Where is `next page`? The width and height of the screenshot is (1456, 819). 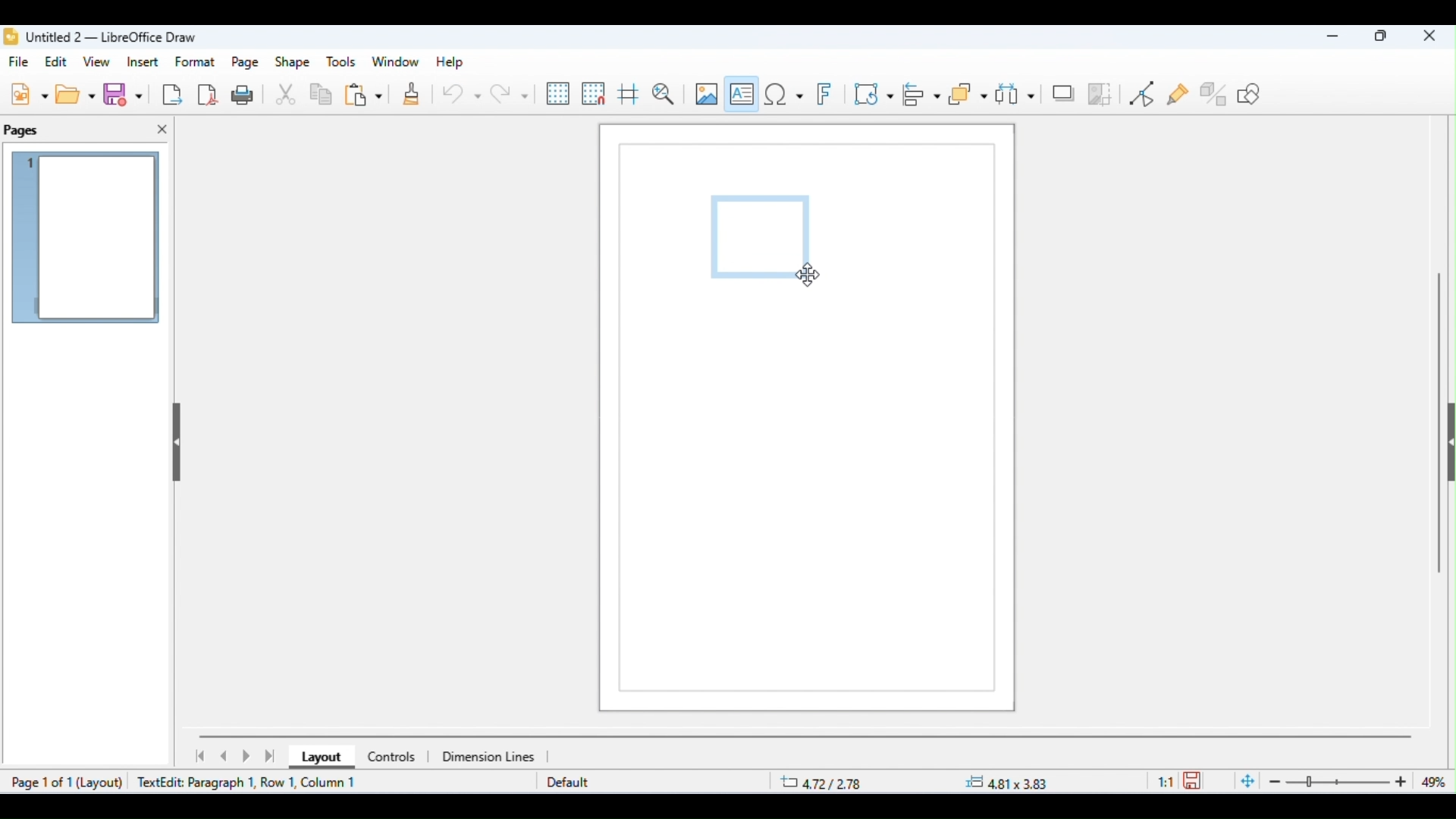 next page is located at coordinates (249, 757).